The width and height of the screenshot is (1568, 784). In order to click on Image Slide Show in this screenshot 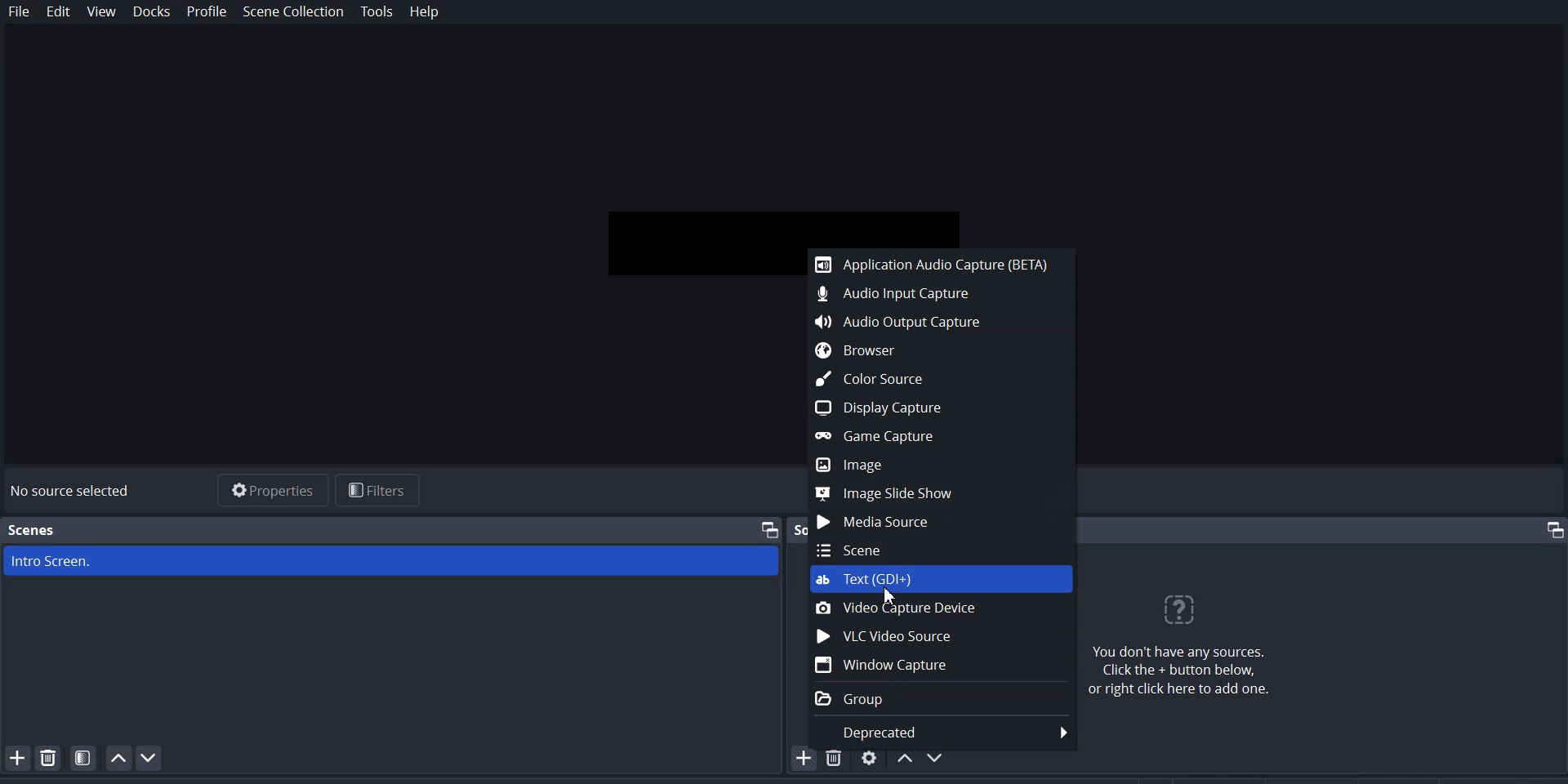, I will do `click(936, 493)`.